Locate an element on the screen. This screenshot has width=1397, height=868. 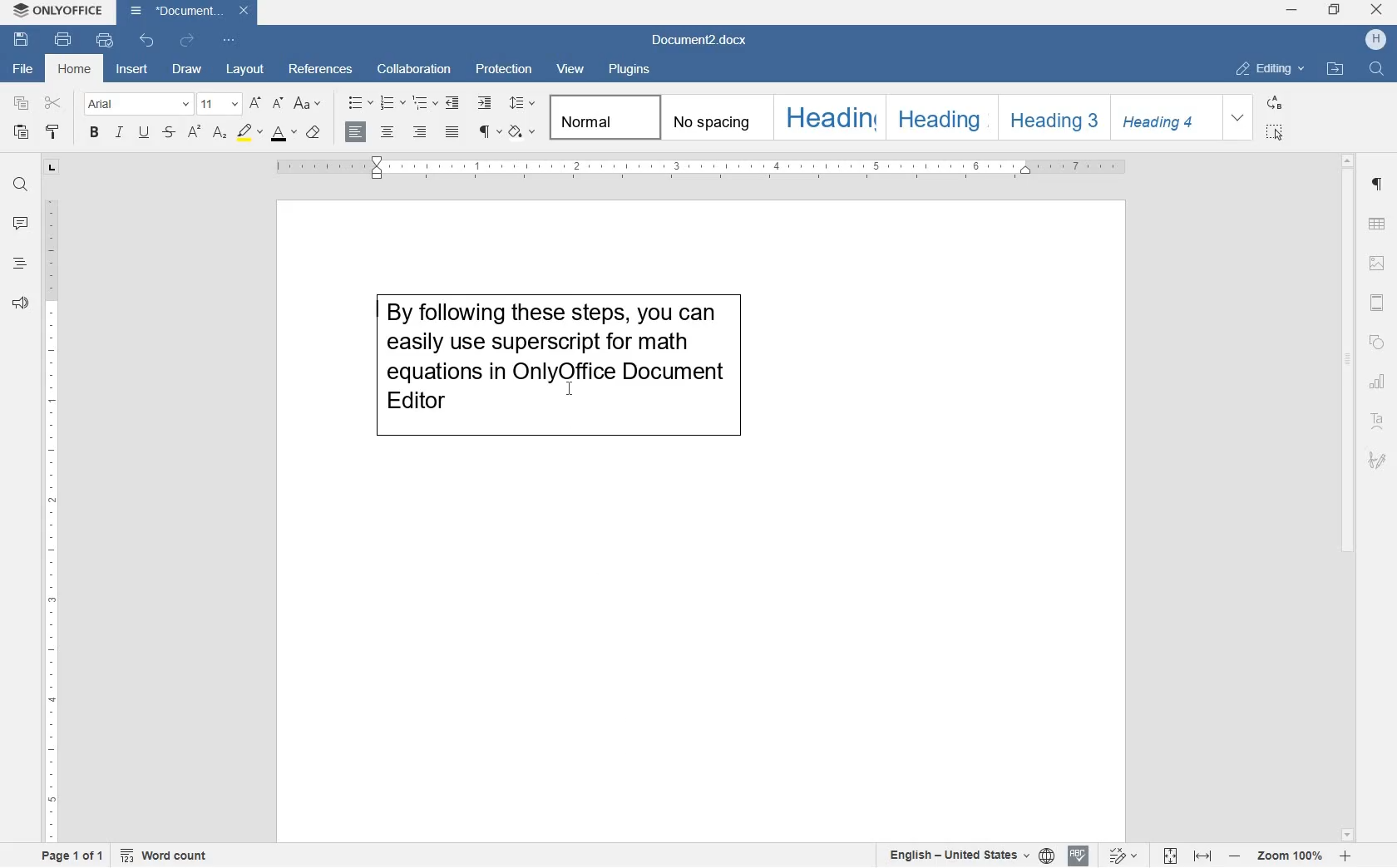
minimize is located at coordinates (1291, 8).